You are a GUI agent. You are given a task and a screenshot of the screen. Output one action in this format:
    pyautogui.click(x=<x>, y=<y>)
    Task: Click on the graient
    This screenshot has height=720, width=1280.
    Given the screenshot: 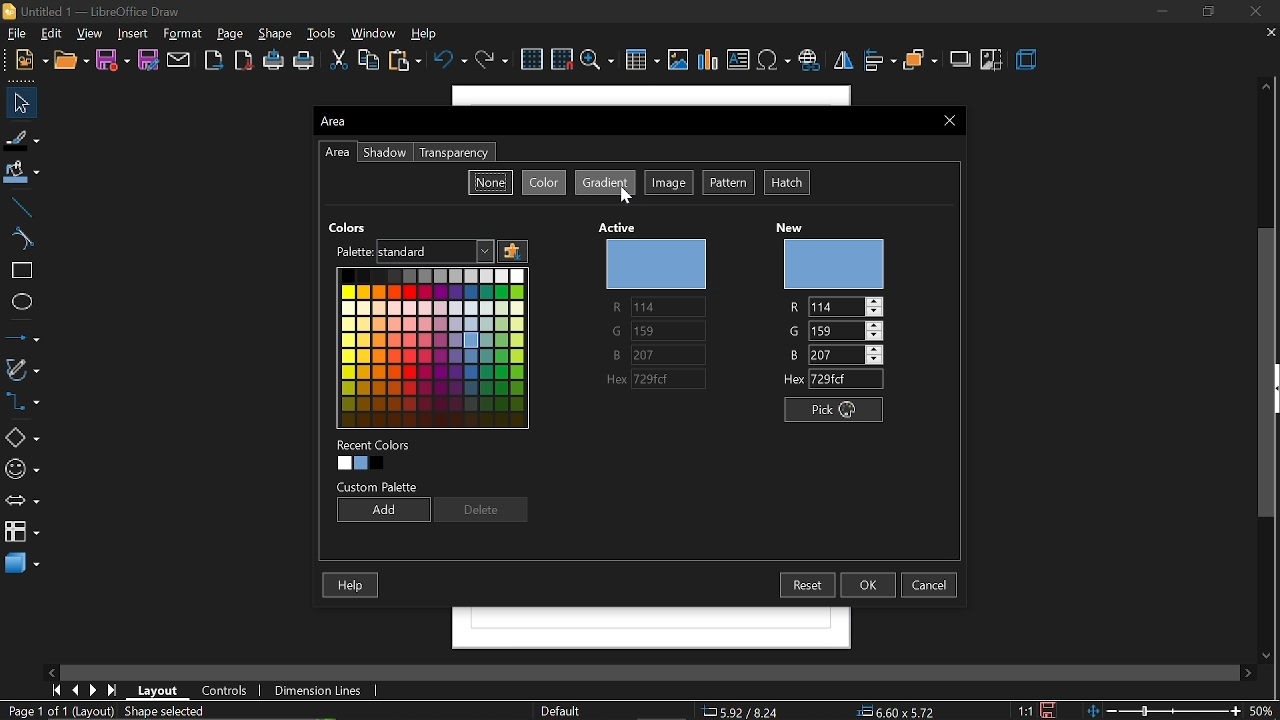 What is the action you would take?
    pyautogui.click(x=606, y=183)
    